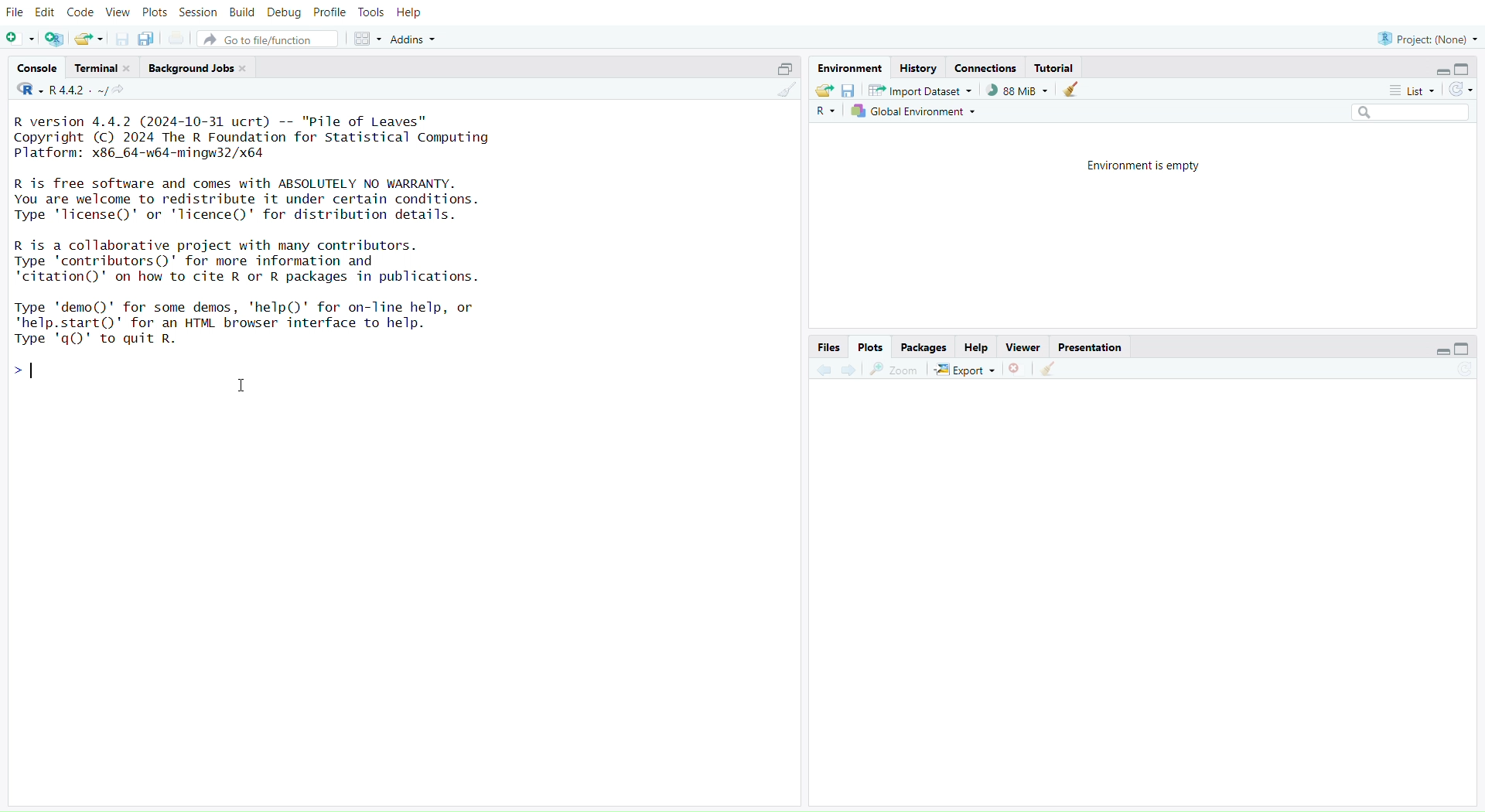 This screenshot has width=1485, height=812. What do you see at coordinates (824, 92) in the screenshot?
I see `load workspace` at bounding box center [824, 92].